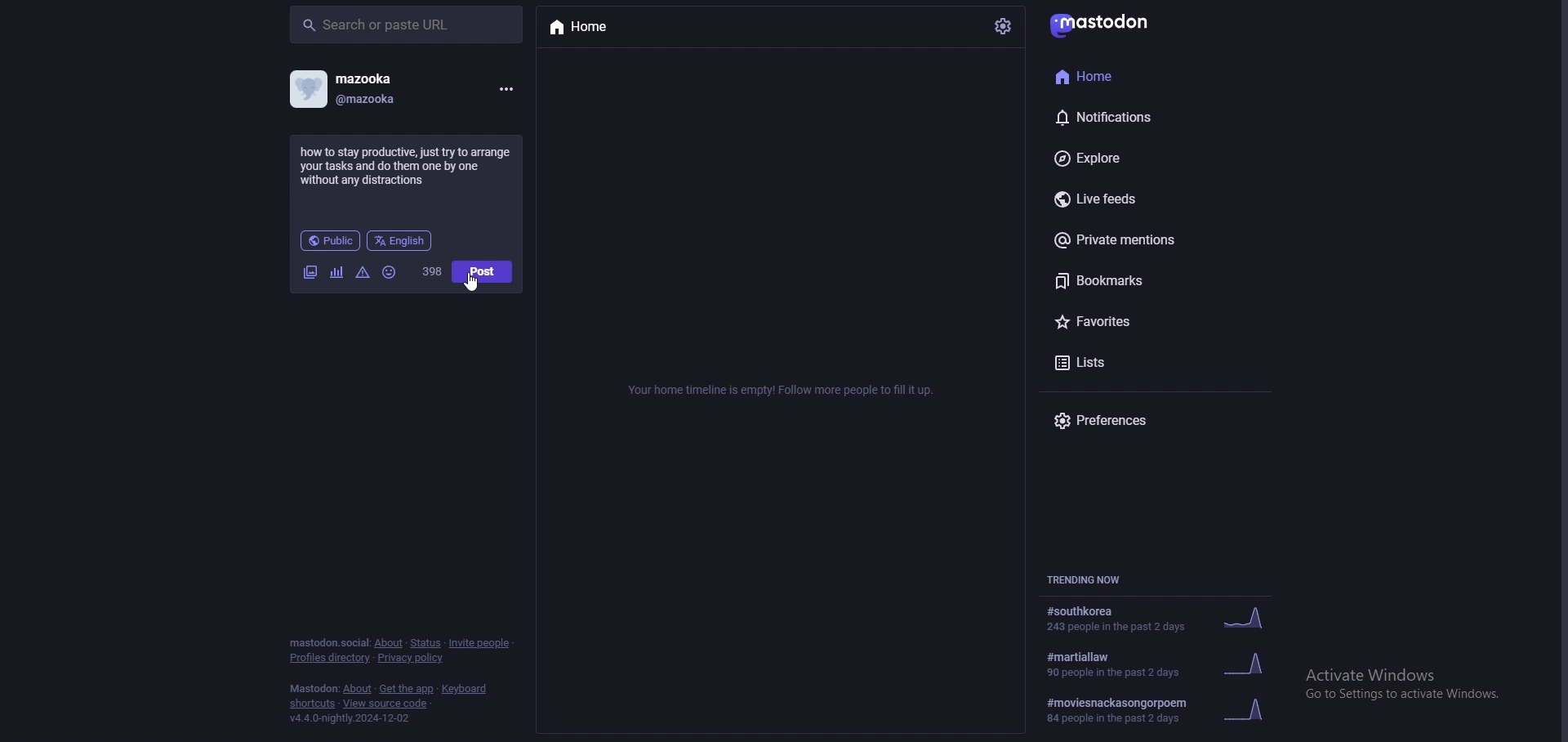  What do you see at coordinates (1171, 664) in the screenshot?
I see `trending` at bounding box center [1171, 664].